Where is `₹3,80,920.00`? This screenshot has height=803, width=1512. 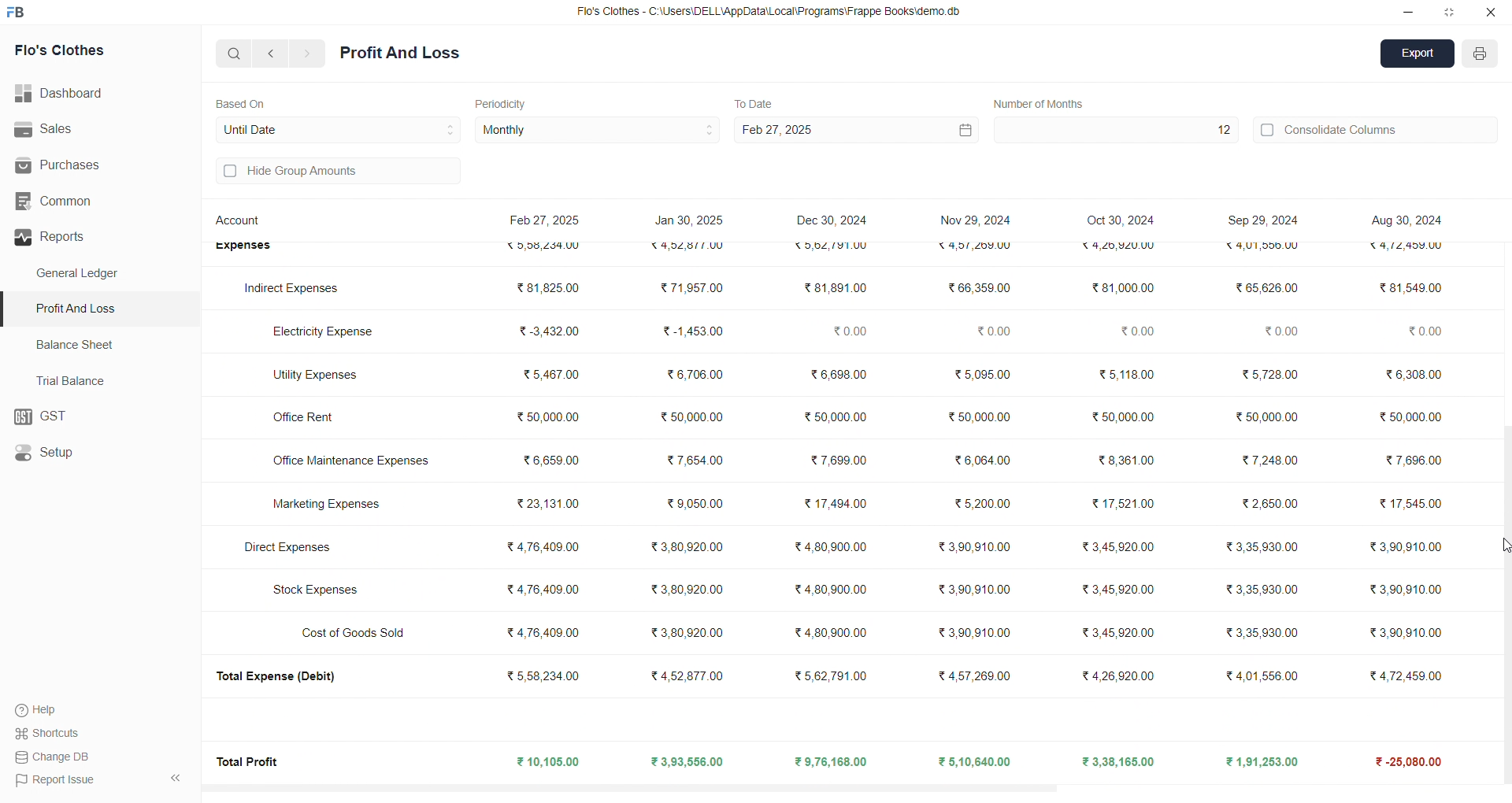
₹3,80,920.00 is located at coordinates (689, 590).